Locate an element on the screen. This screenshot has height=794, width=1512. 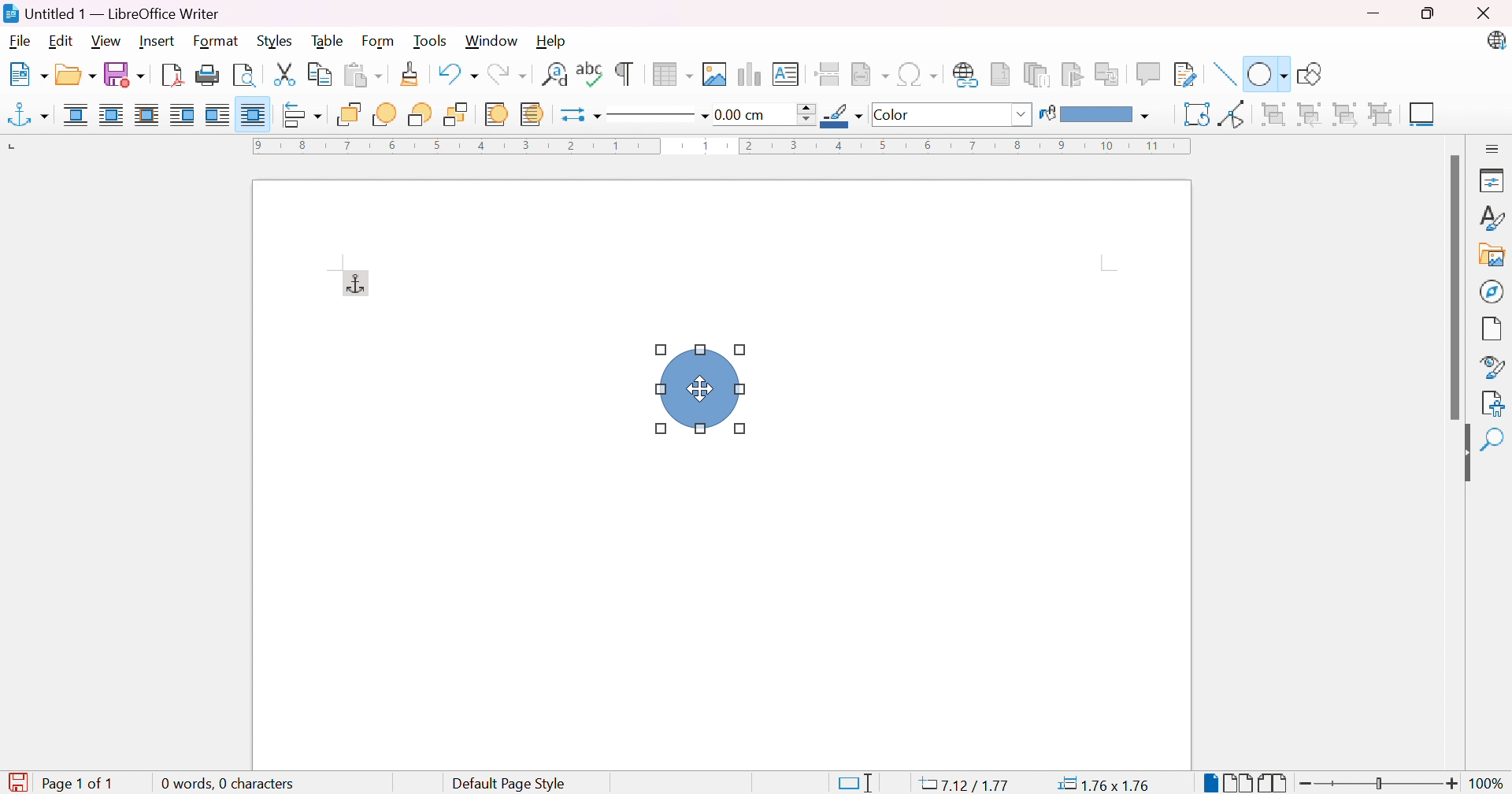
Insert text box is located at coordinates (784, 74).